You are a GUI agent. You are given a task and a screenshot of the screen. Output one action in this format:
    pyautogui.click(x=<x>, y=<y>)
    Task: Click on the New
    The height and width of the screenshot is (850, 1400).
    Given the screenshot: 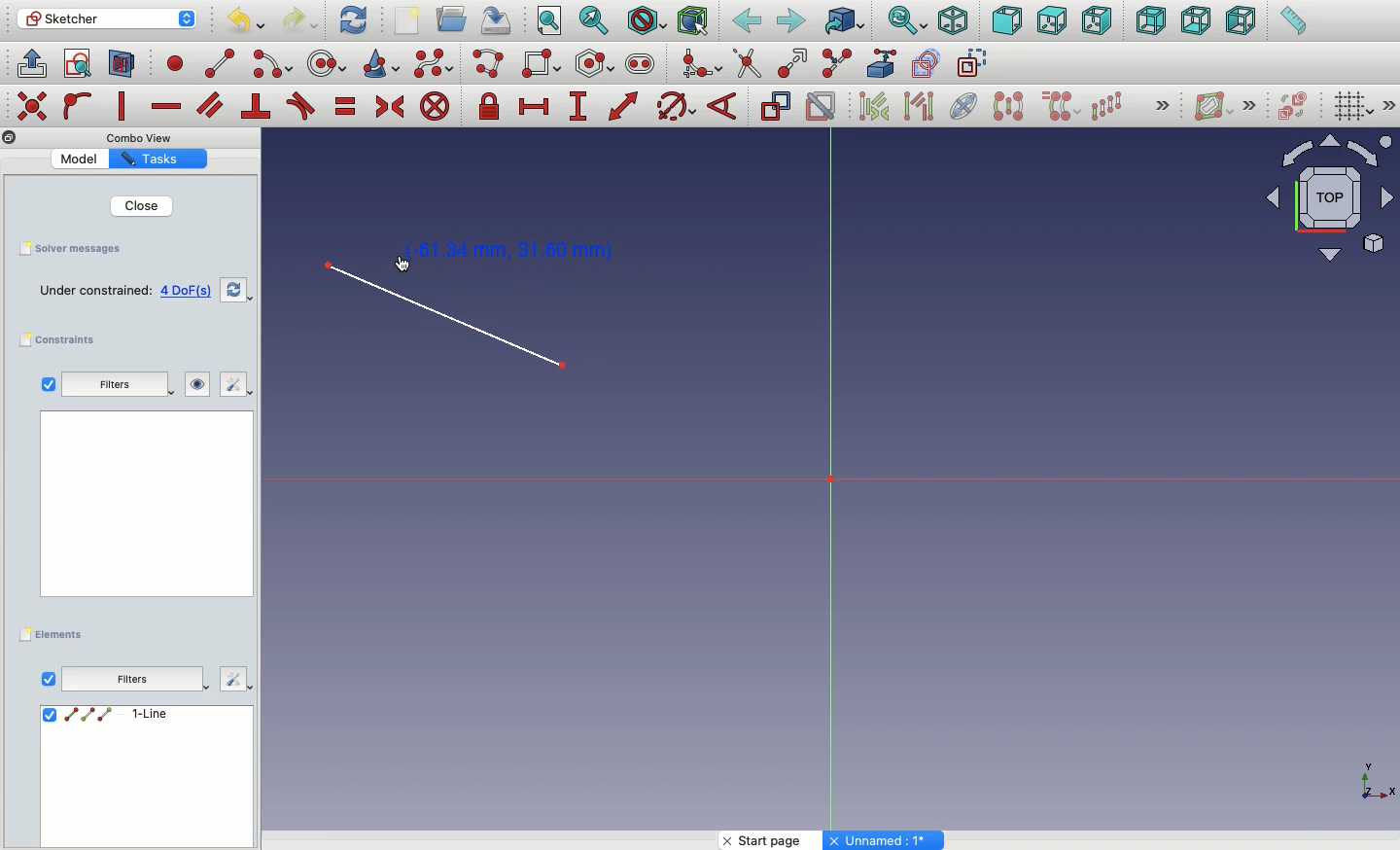 What is the action you would take?
    pyautogui.click(x=409, y=20)
    